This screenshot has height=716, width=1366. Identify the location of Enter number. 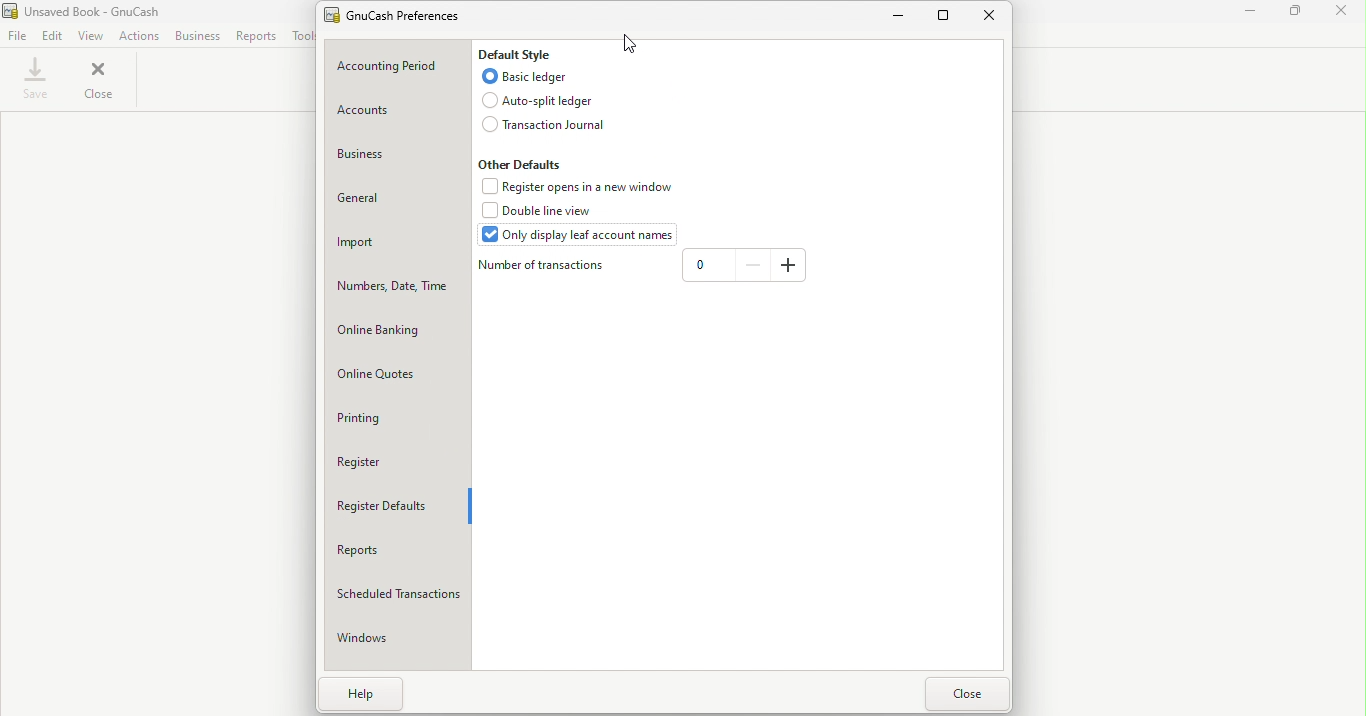
(707, 268).